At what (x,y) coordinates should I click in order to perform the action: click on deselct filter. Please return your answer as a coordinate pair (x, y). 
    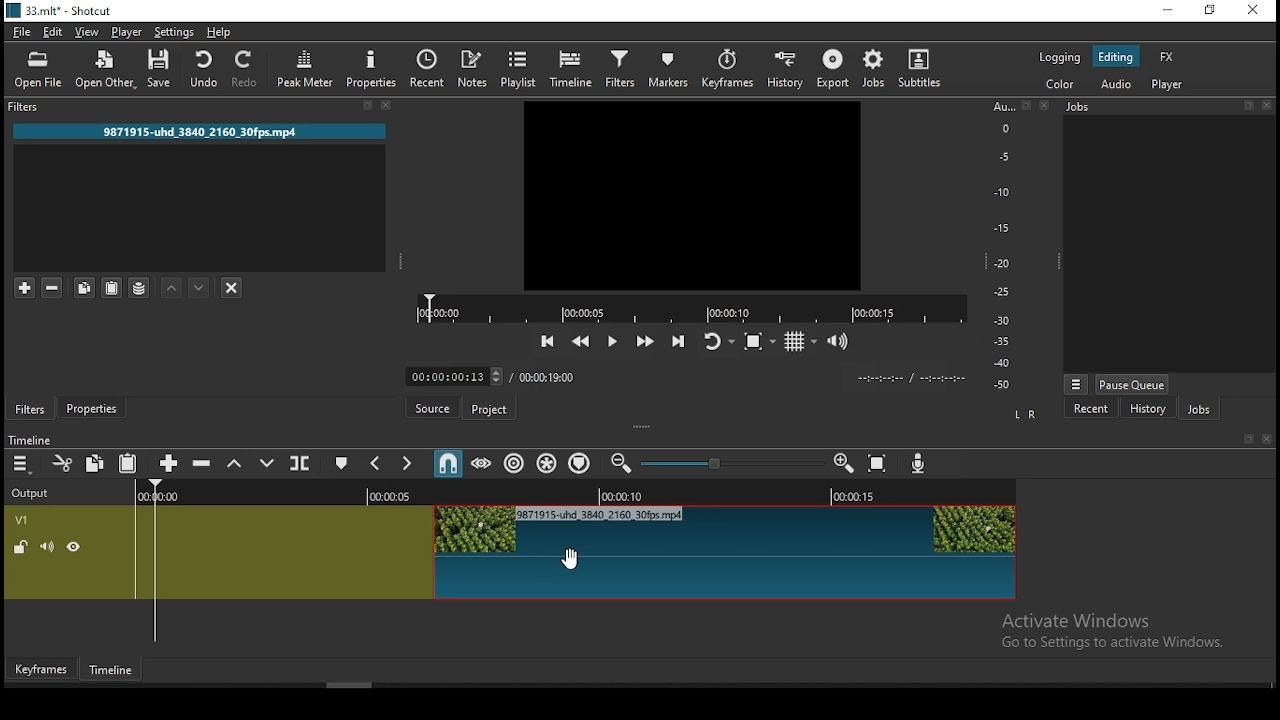
    Looking at the image, I should click on (233, 289).